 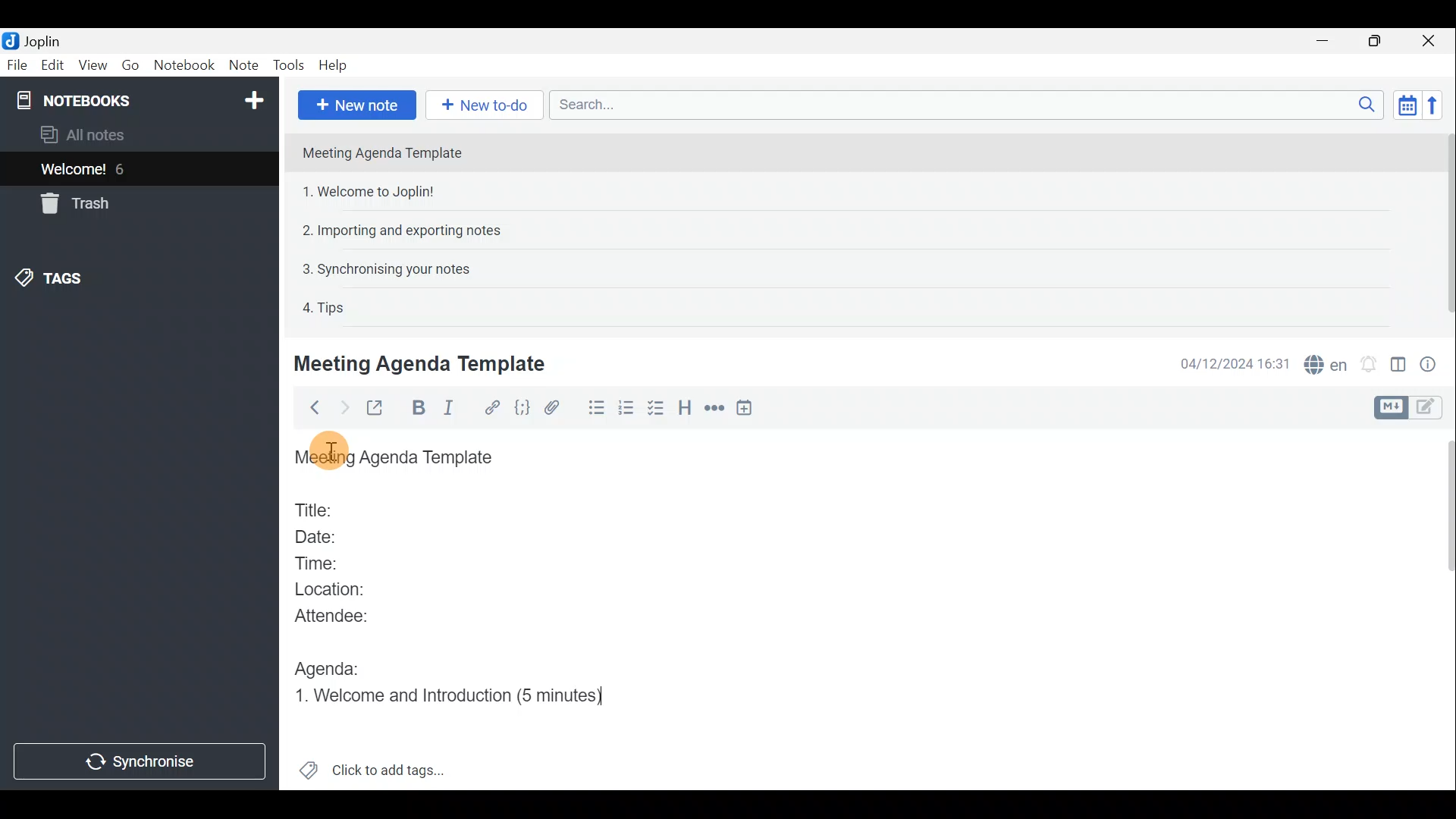 I want to click on Attendee:, so click(x=343, y=615).